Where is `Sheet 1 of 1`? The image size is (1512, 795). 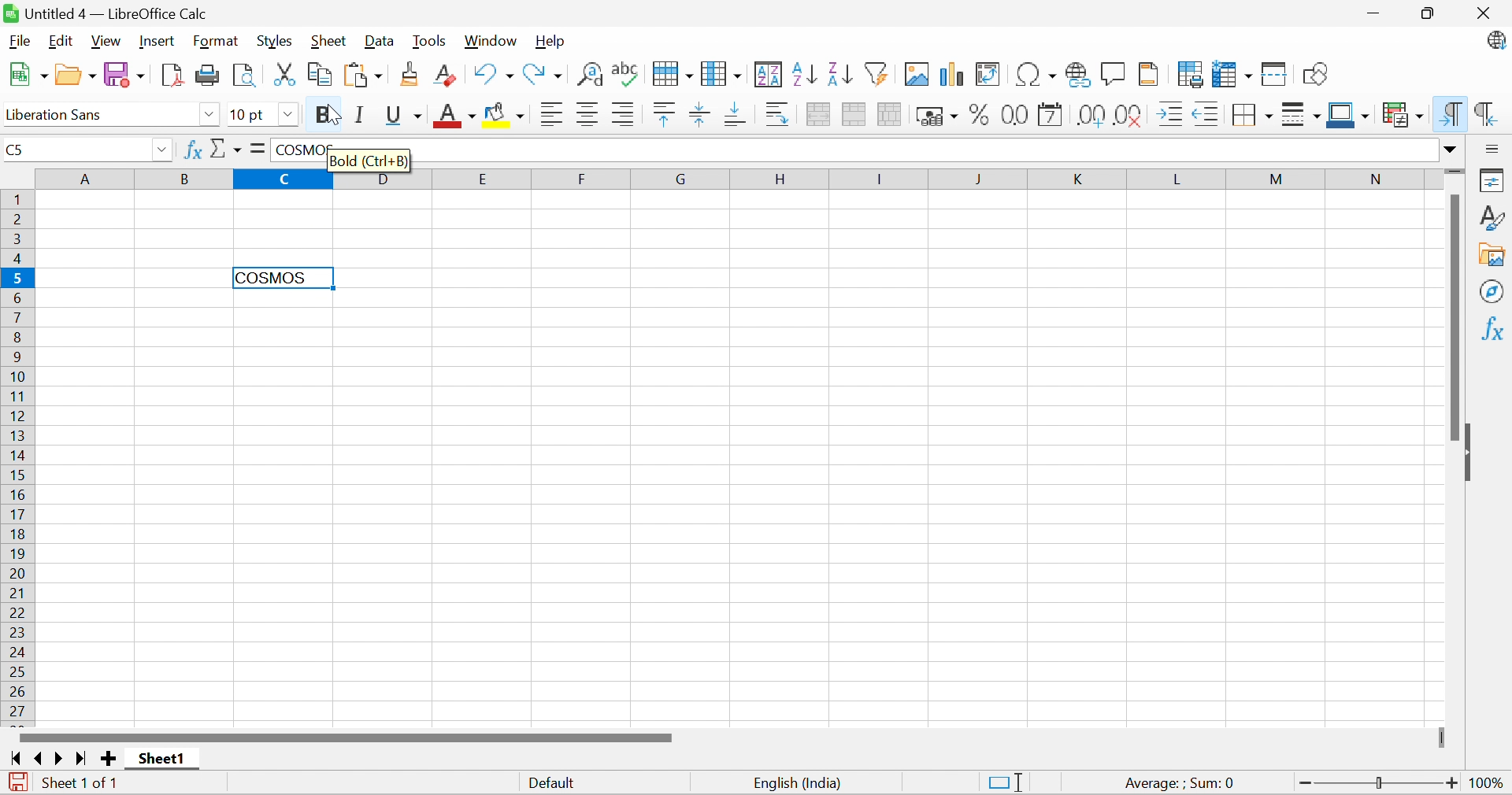
Sheet 1 of 1 is located at coordinates (82, 784).